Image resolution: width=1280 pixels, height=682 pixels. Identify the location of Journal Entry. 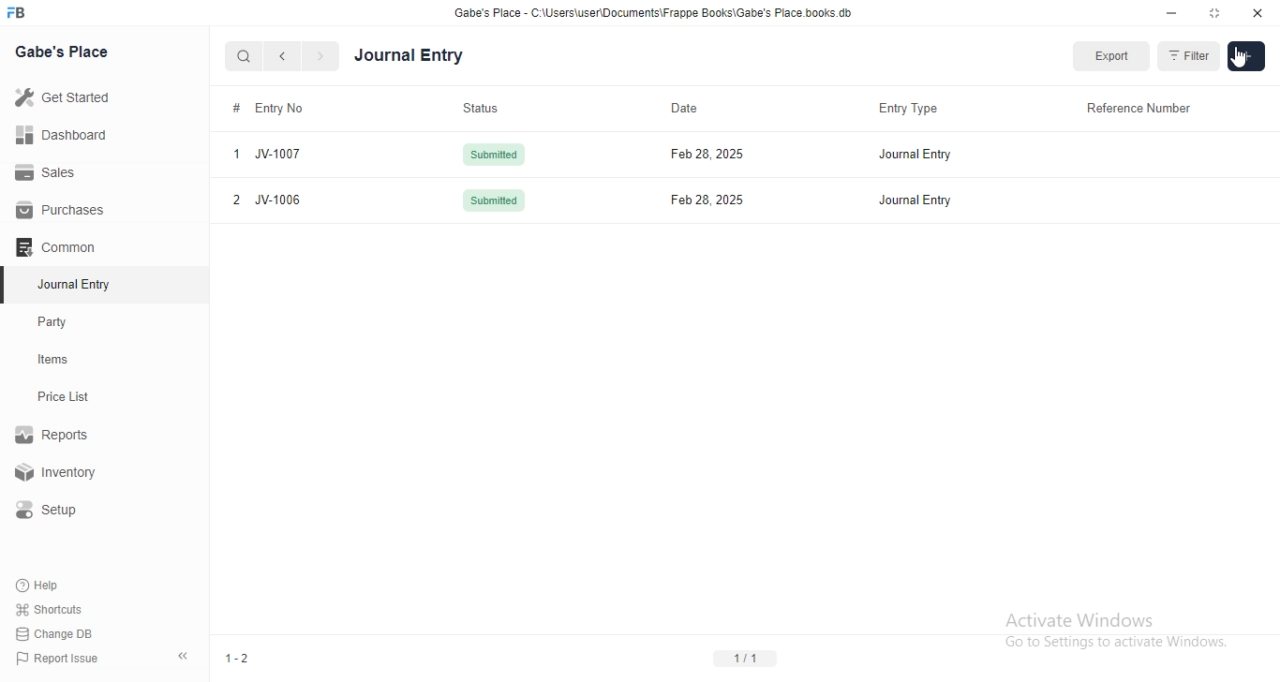
(918, 204).